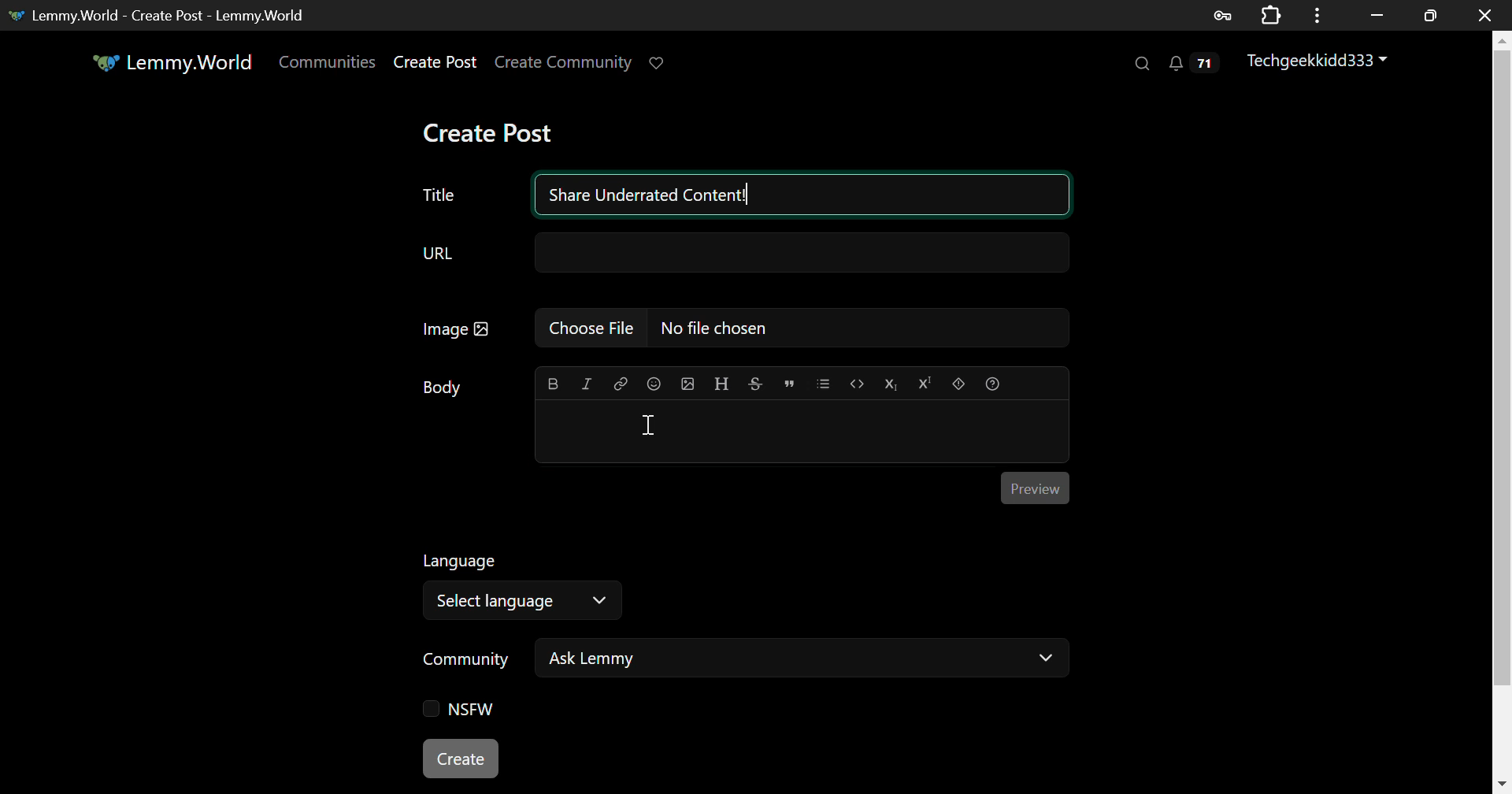  Describe the element at coordinates (1036, 488) in the screenshot. I see `Preview` at that location.